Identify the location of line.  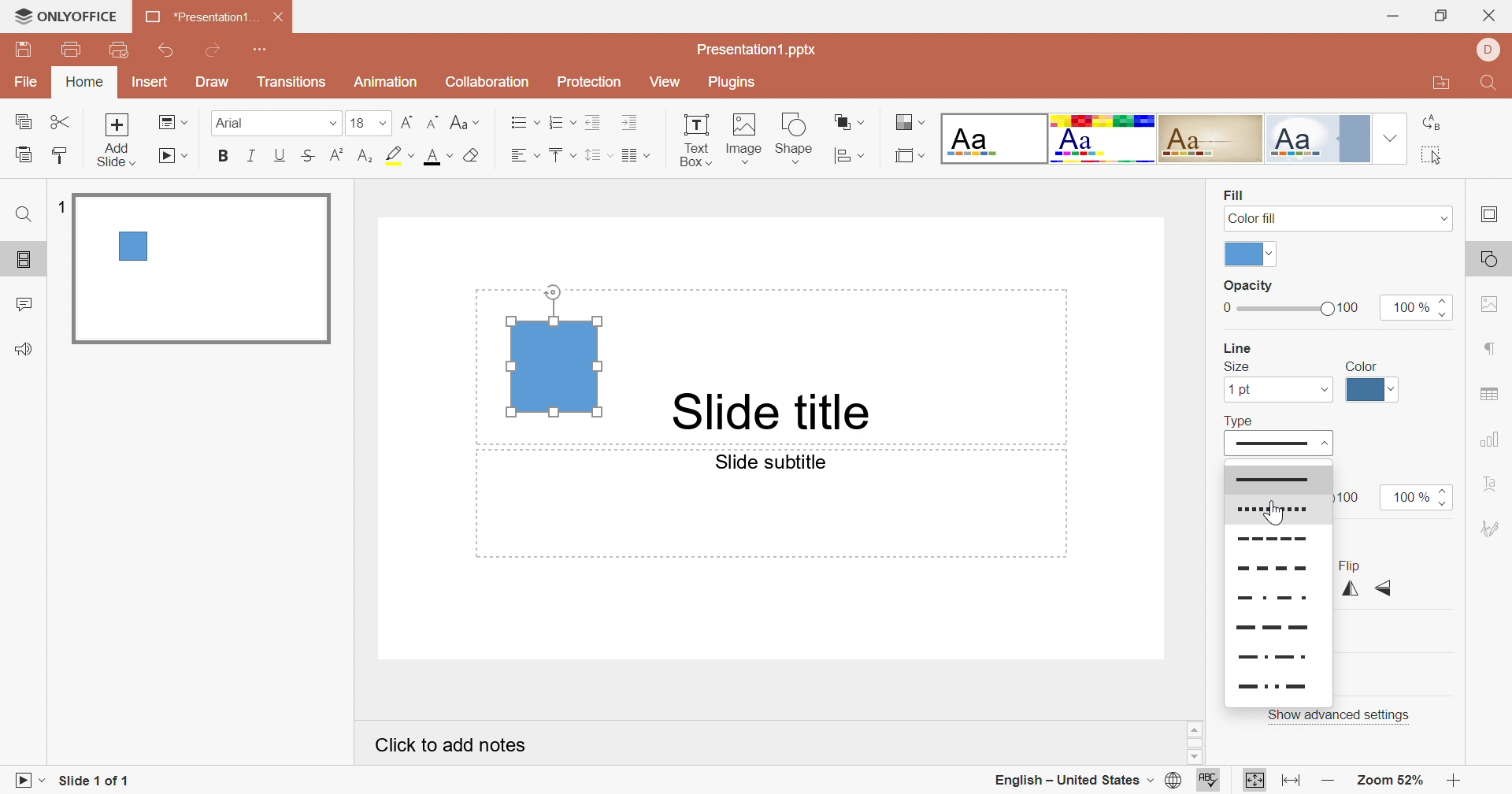
(1277, 628).